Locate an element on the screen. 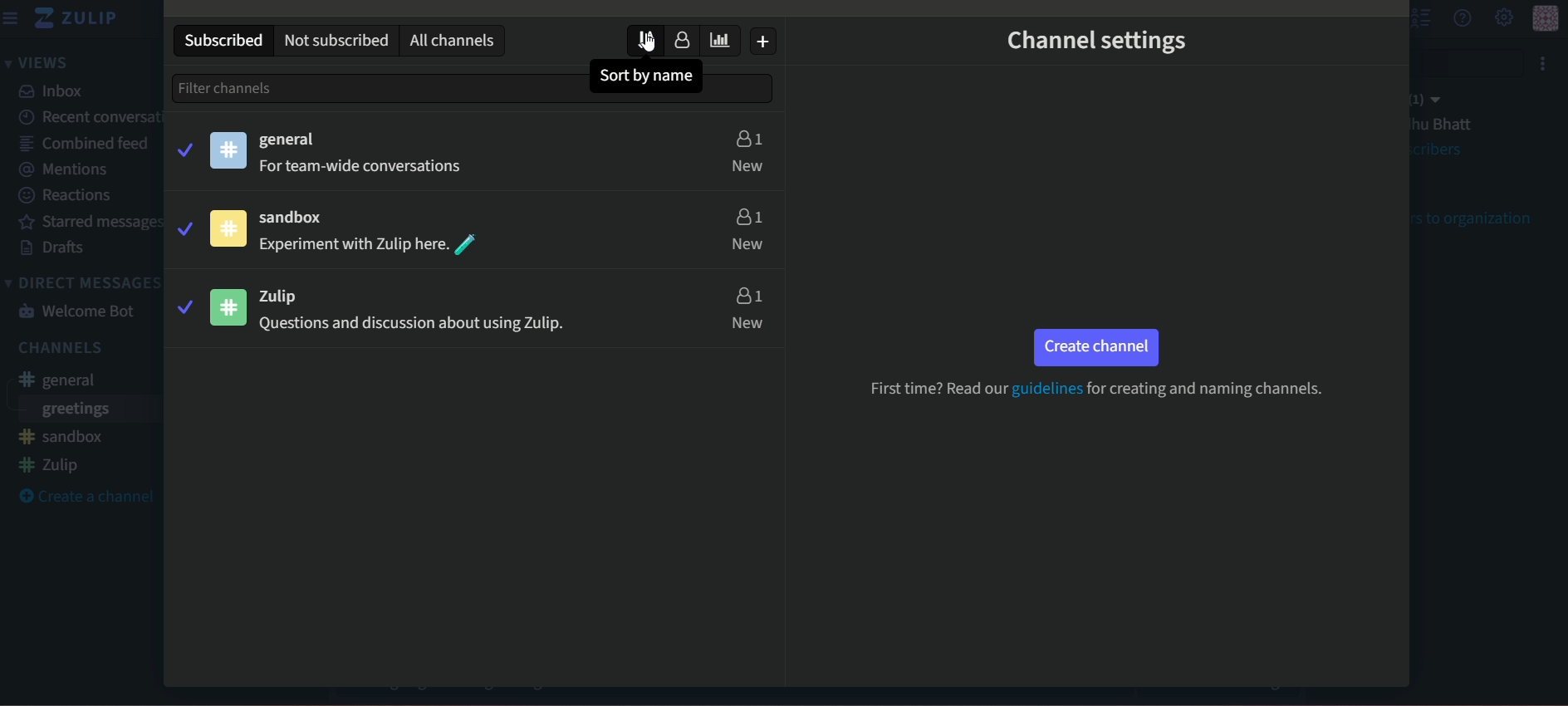 The image size is (1568, 706). inbox is located at coordinates (52, 92).